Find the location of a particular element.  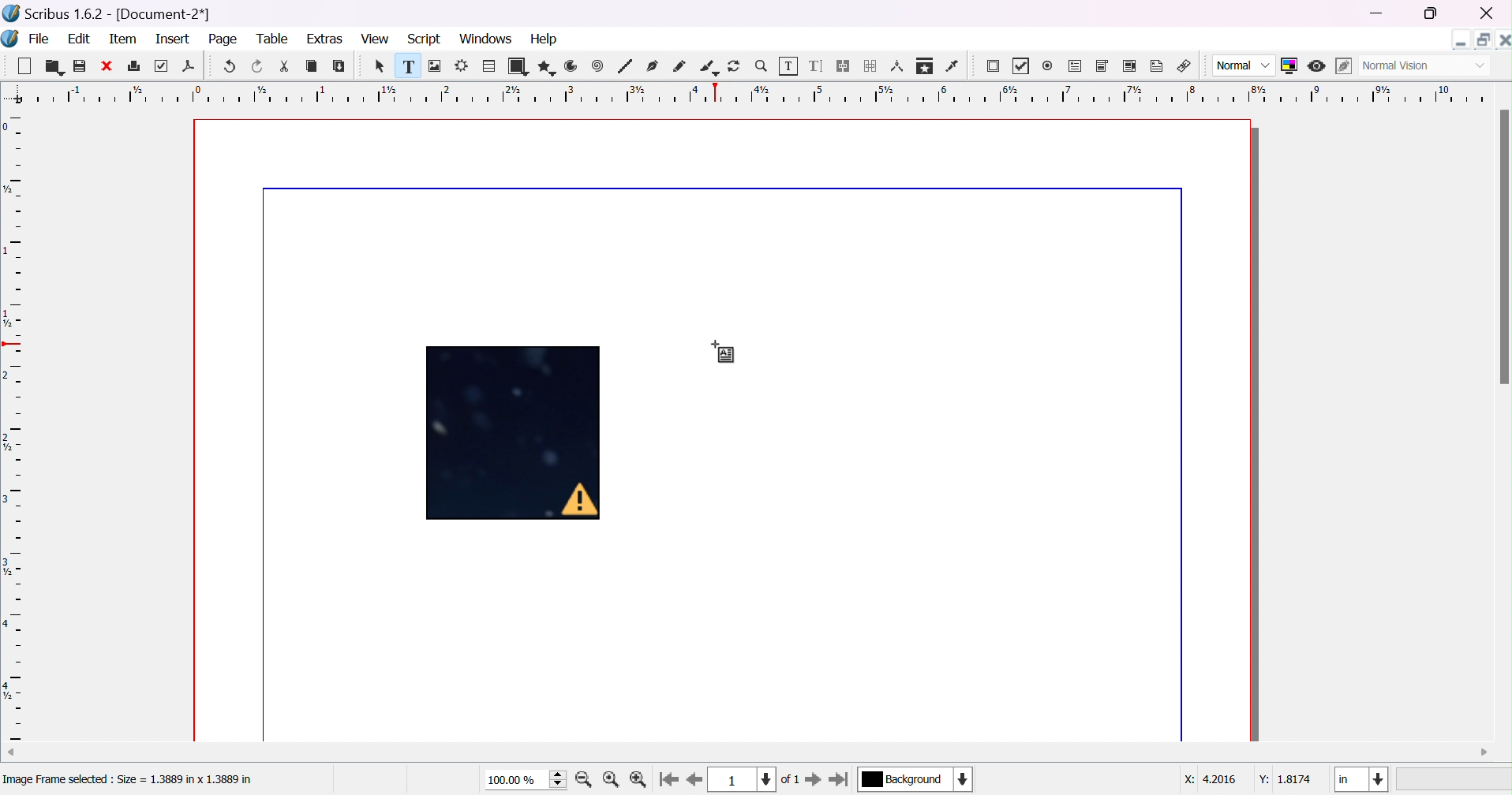

freehand line is located at coordinates (679, 66).